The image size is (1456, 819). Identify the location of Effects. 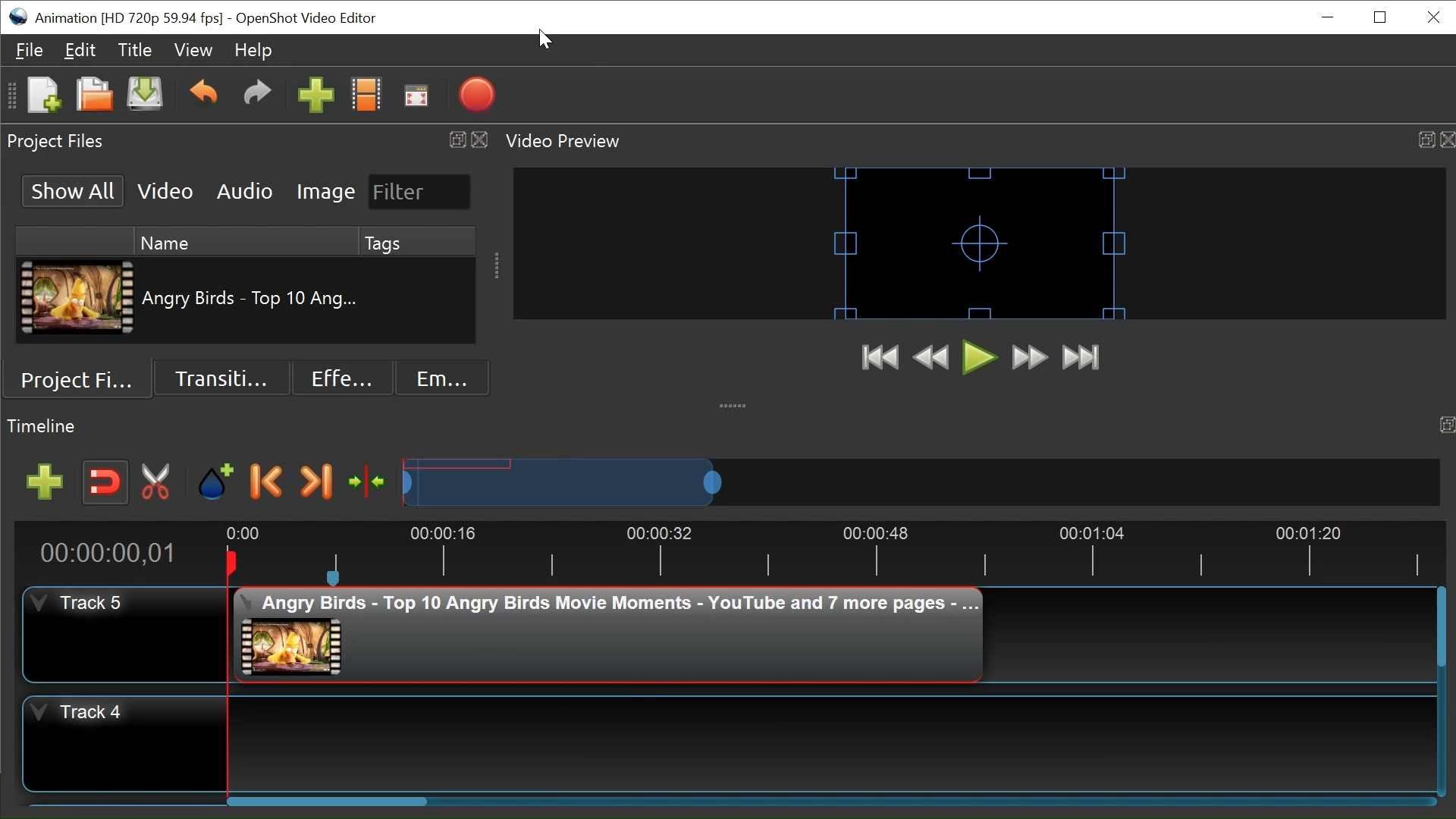
(340, 378).